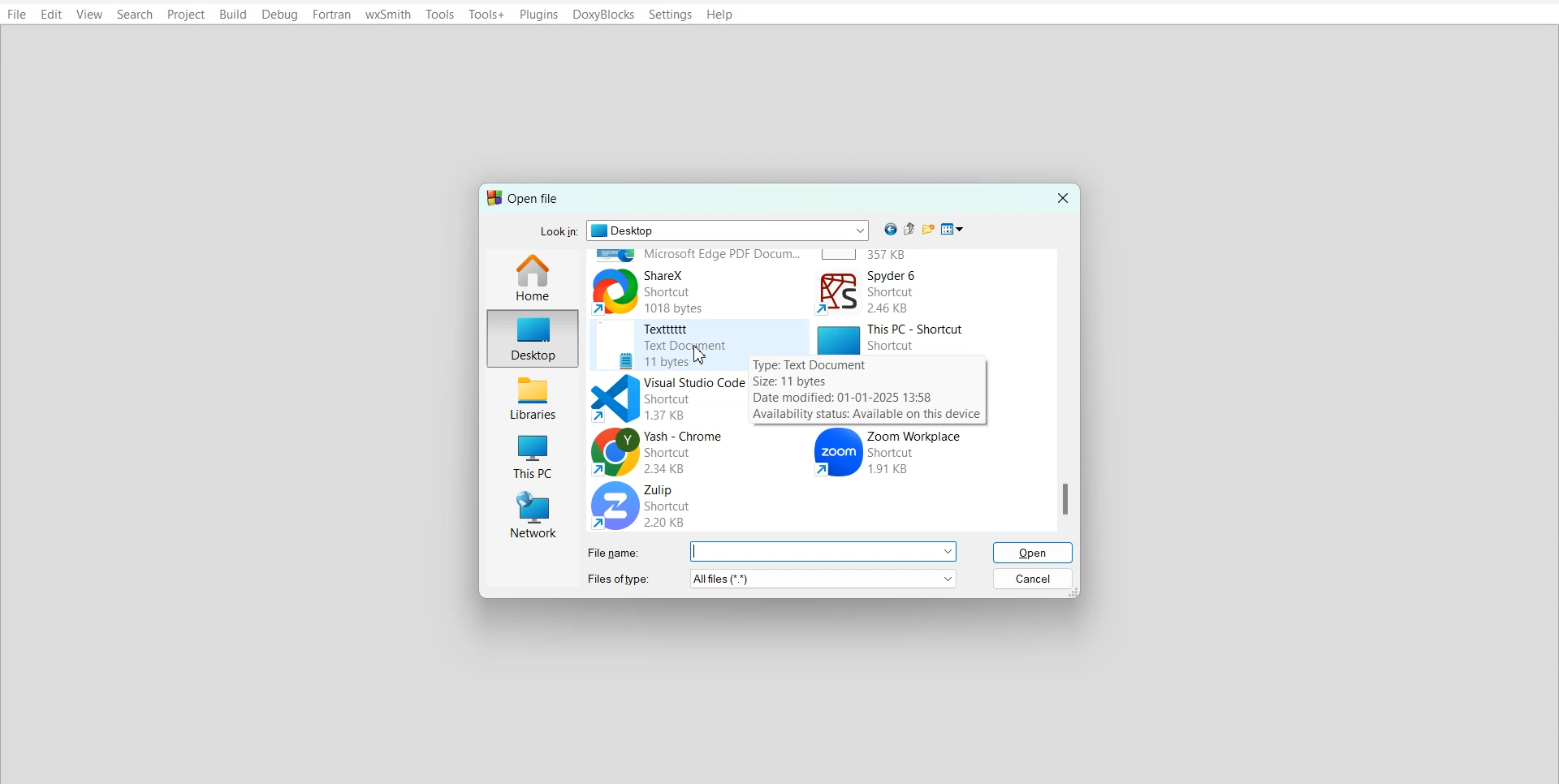 The height and width of the screenshot is (784, 1559). Describe the element at coordinates (918, 452) in the screenshot. I see `Zoom` at that location.